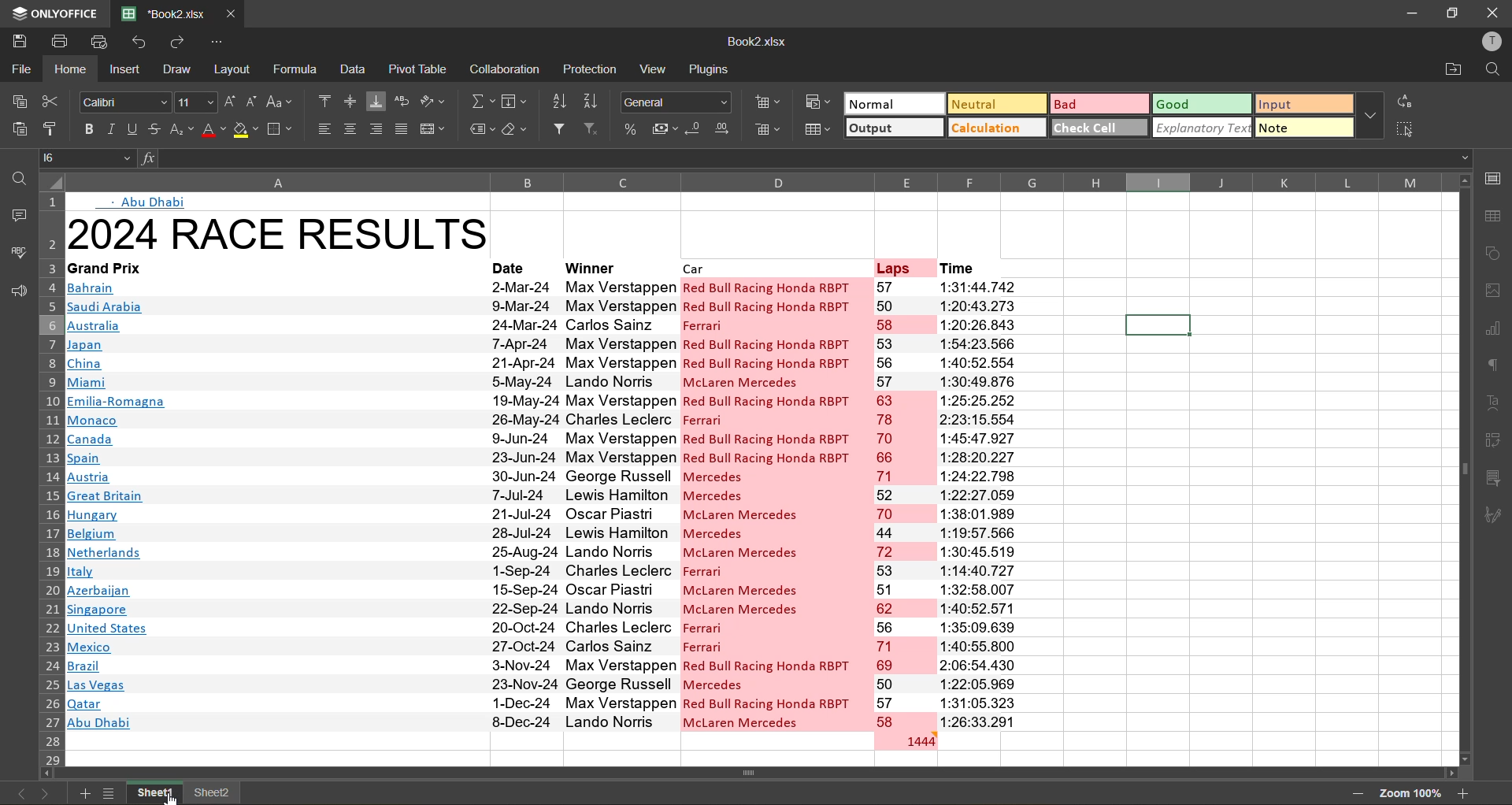 This screenshot has height=805, width=1512. Describe the element at coordinates (17, 217) in the screenshot. I see `comments` at that location.